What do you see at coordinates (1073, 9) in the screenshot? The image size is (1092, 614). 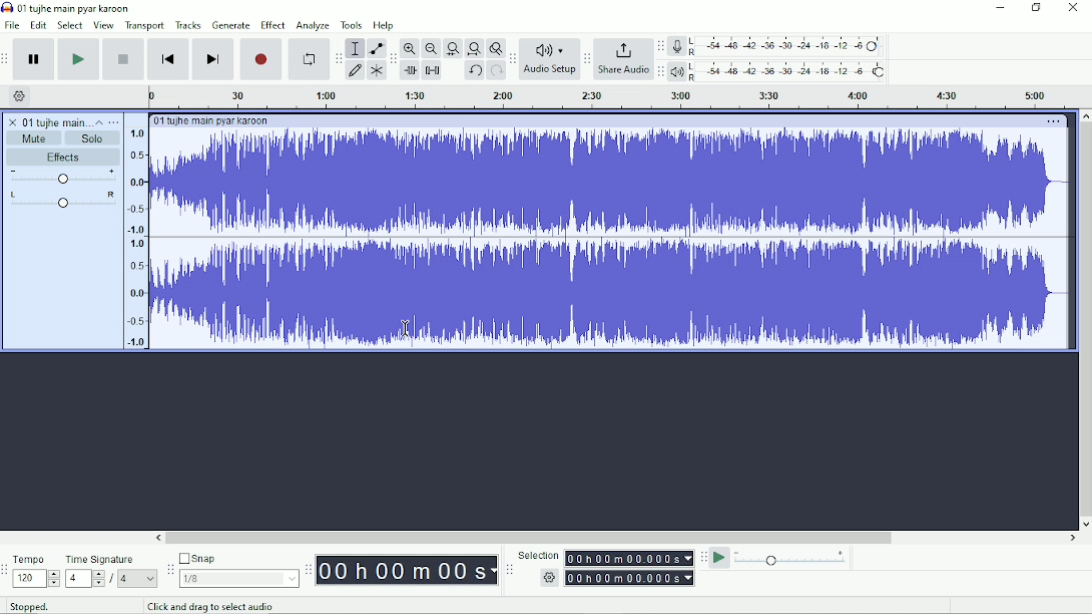 I see `Close` at bounding box center [1073, 9].